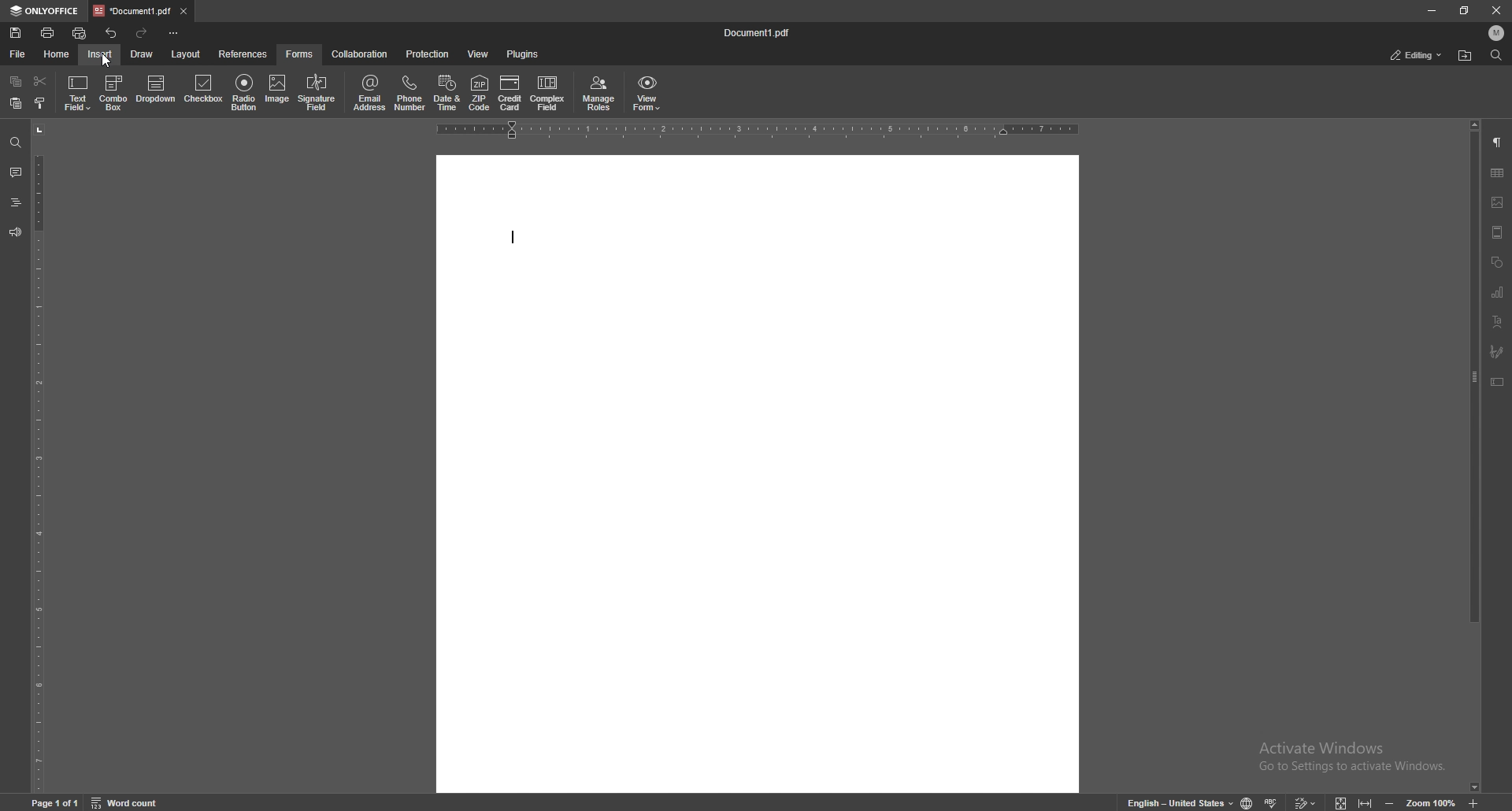 The width and height of the screenshot is (1512, 811). What do you see at coordinates (1341, 801) in the screenshot?
I see `fit to page` at bounding box center [1341, 801].